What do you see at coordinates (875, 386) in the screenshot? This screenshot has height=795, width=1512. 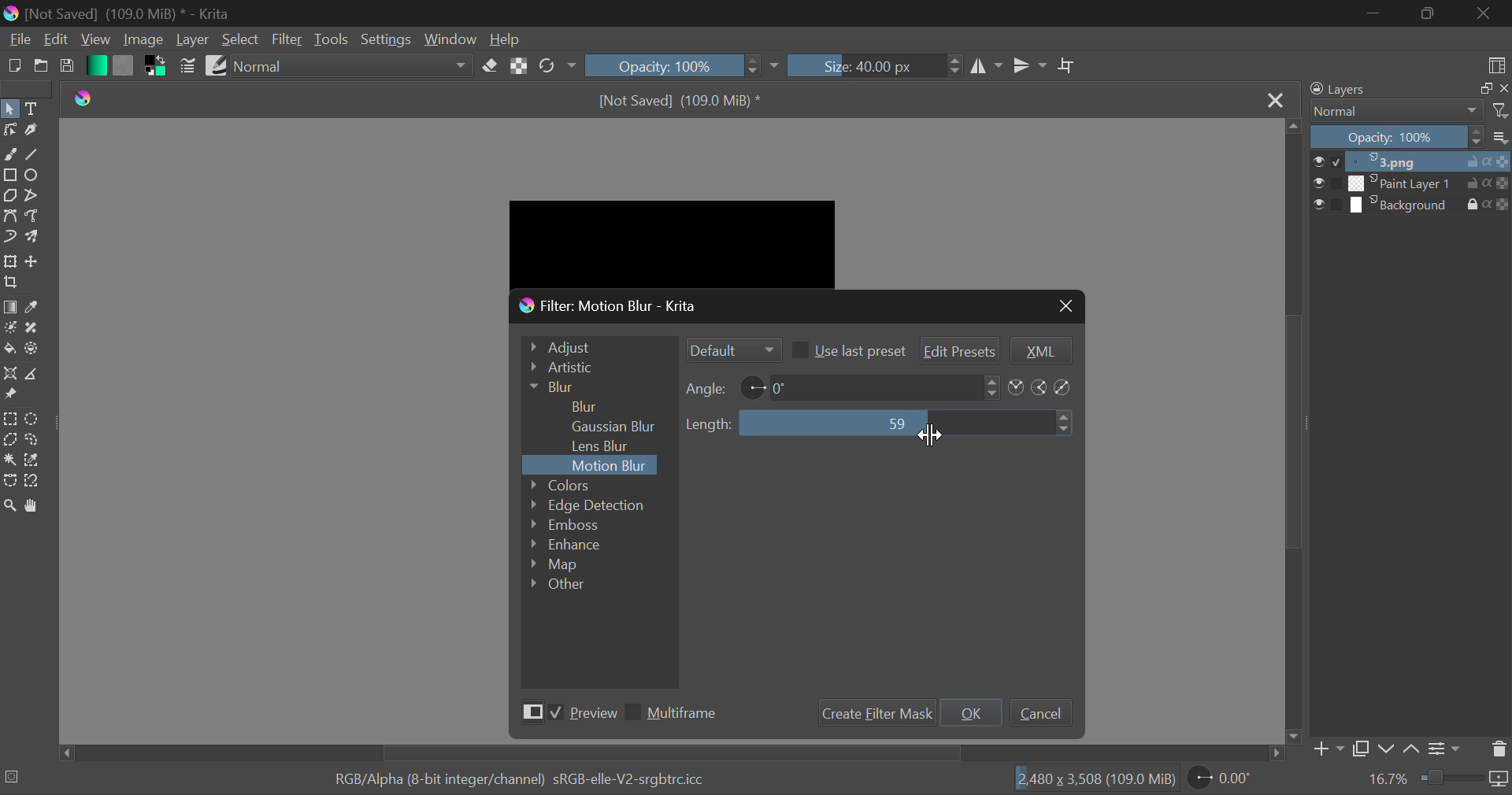 I see `0 degree` at bounding box center [875, 386].